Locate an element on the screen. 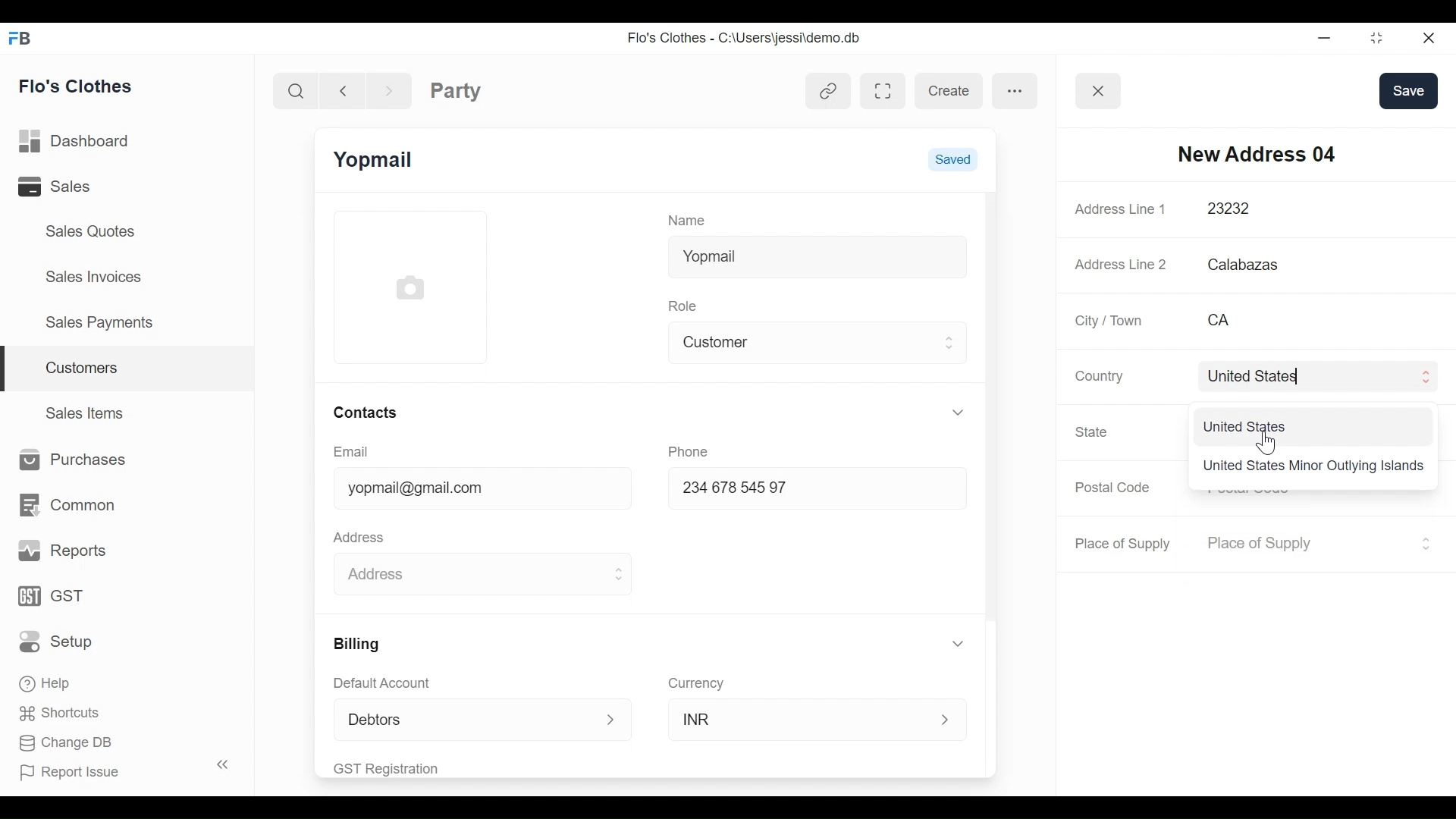  create is located at coordinates (948, 91).